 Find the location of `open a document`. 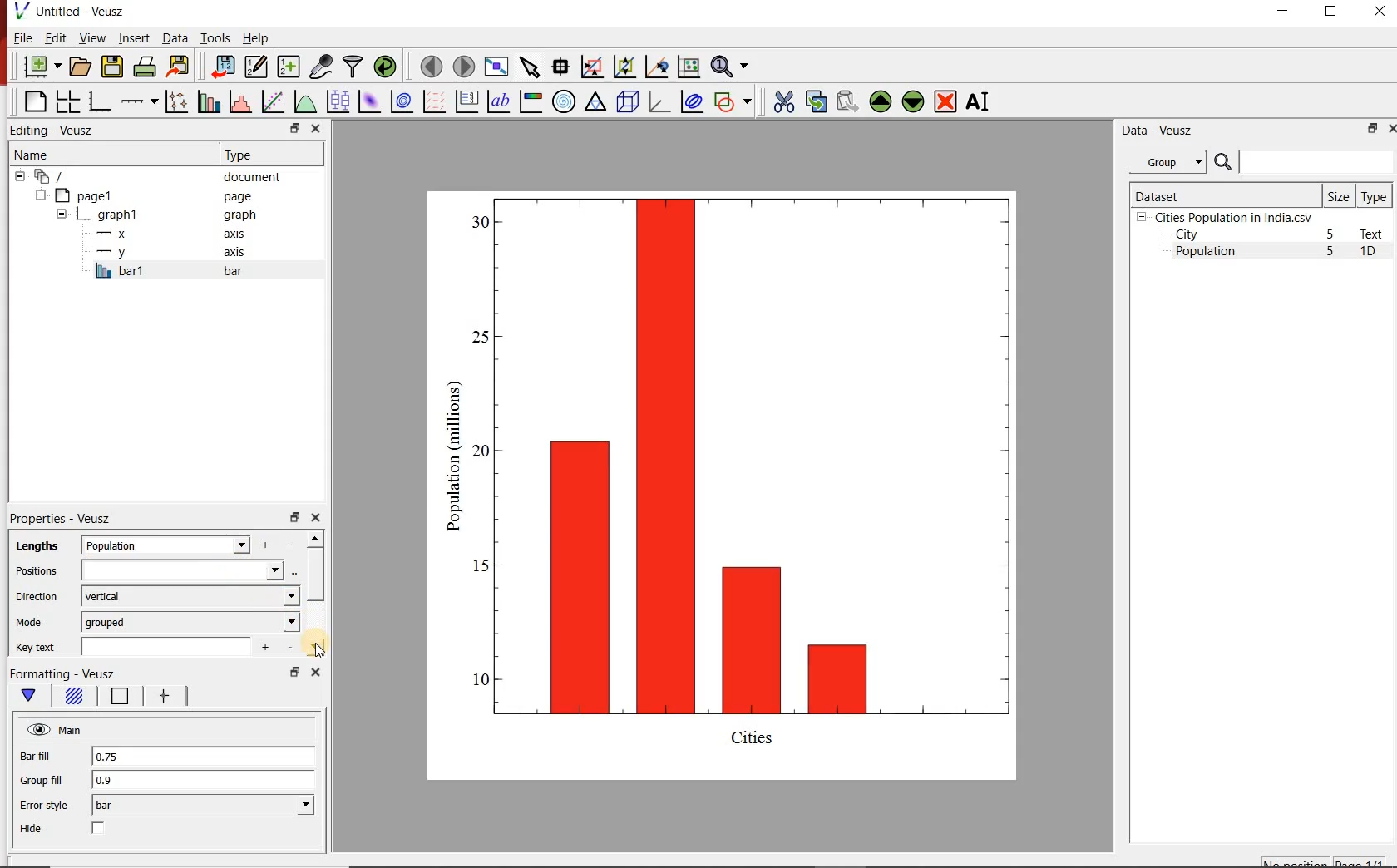

open a document is located at coordinates (79, 67).